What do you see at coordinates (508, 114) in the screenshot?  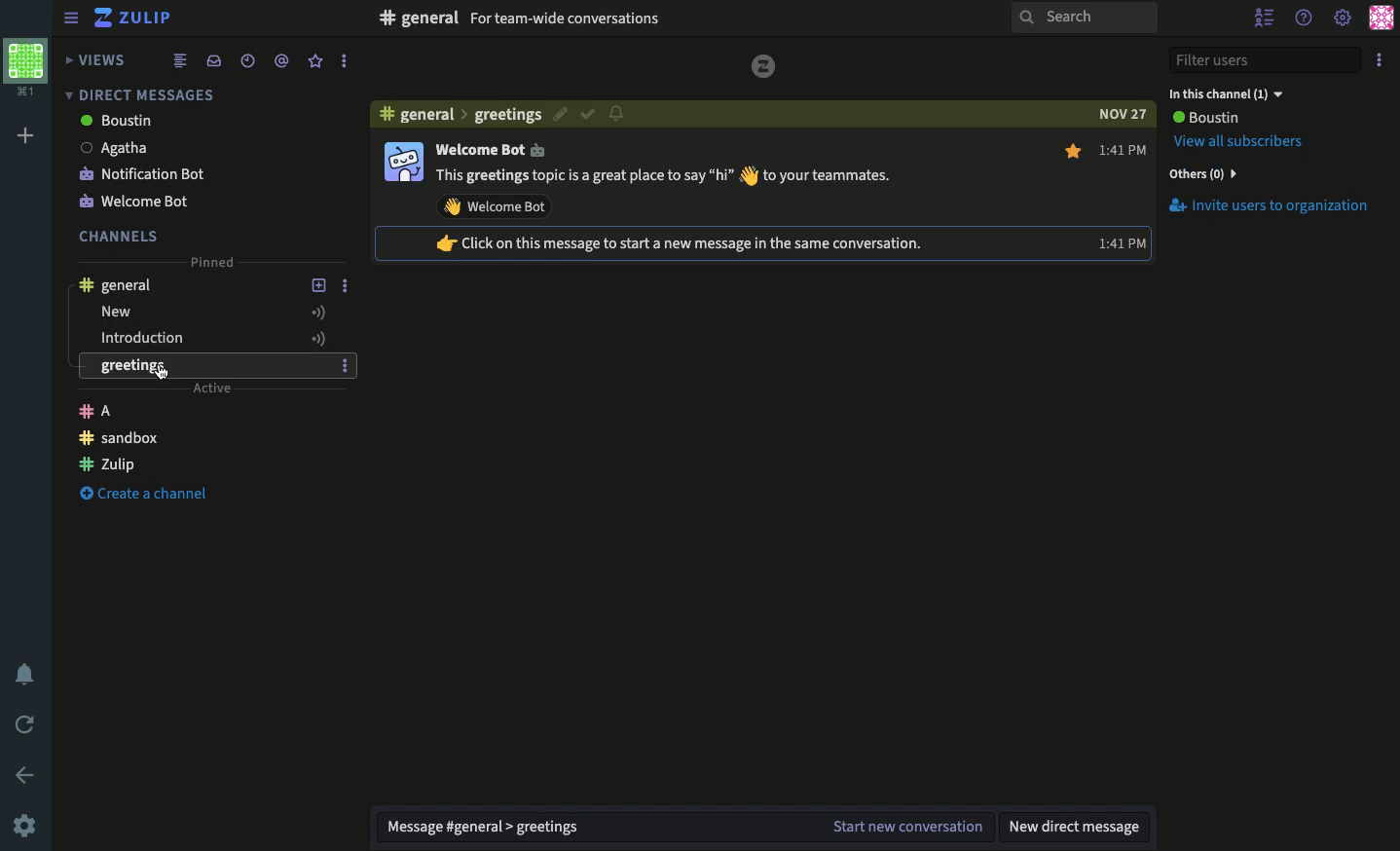 I see `greetings` at bounding box center [508, 114].